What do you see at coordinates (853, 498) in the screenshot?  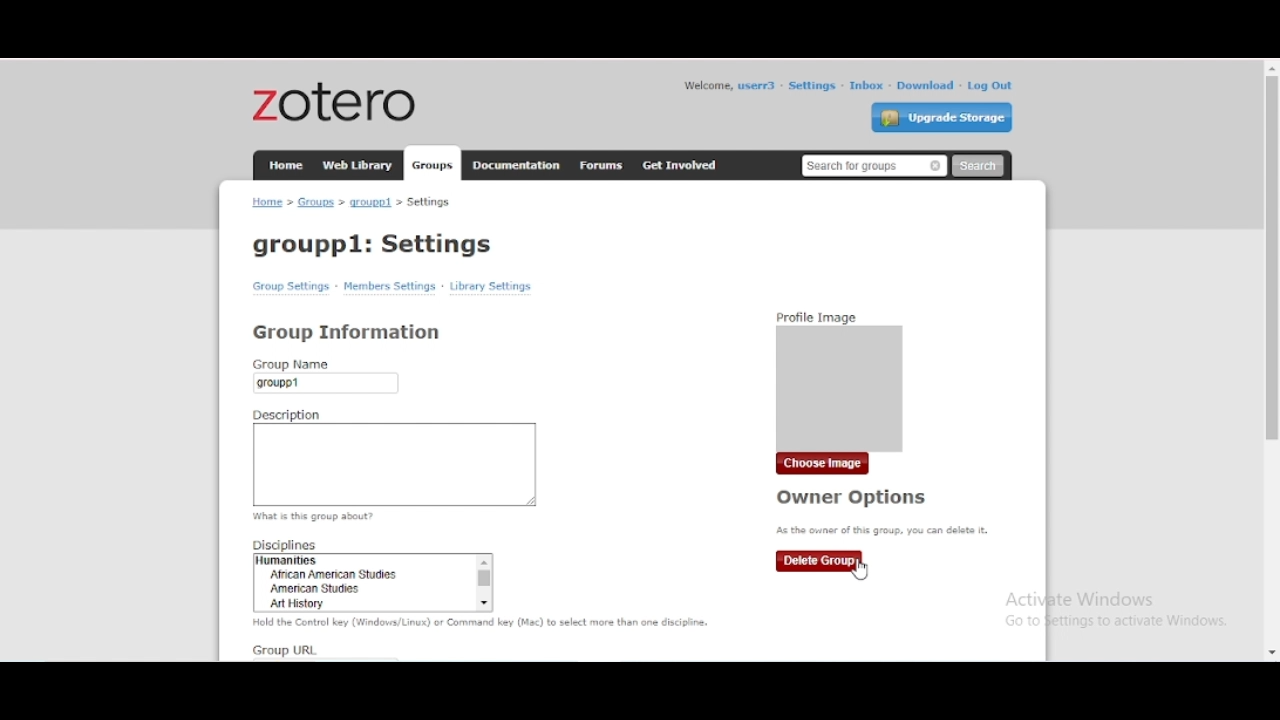 I see `owner options` at bounding box center [853, 498].